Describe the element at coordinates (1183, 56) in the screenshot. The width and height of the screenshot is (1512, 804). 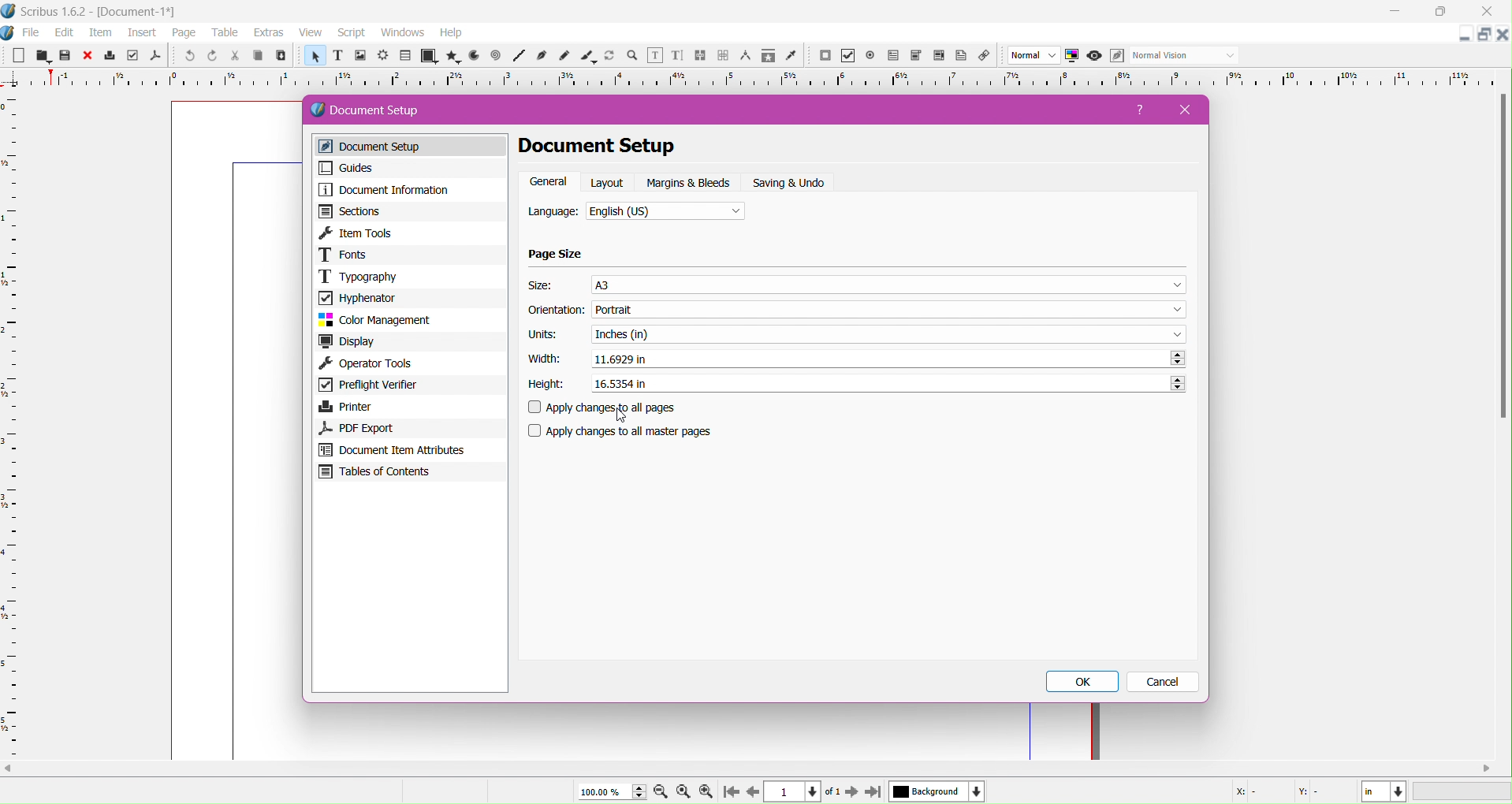
I see `visual appearance of the display` at that location.